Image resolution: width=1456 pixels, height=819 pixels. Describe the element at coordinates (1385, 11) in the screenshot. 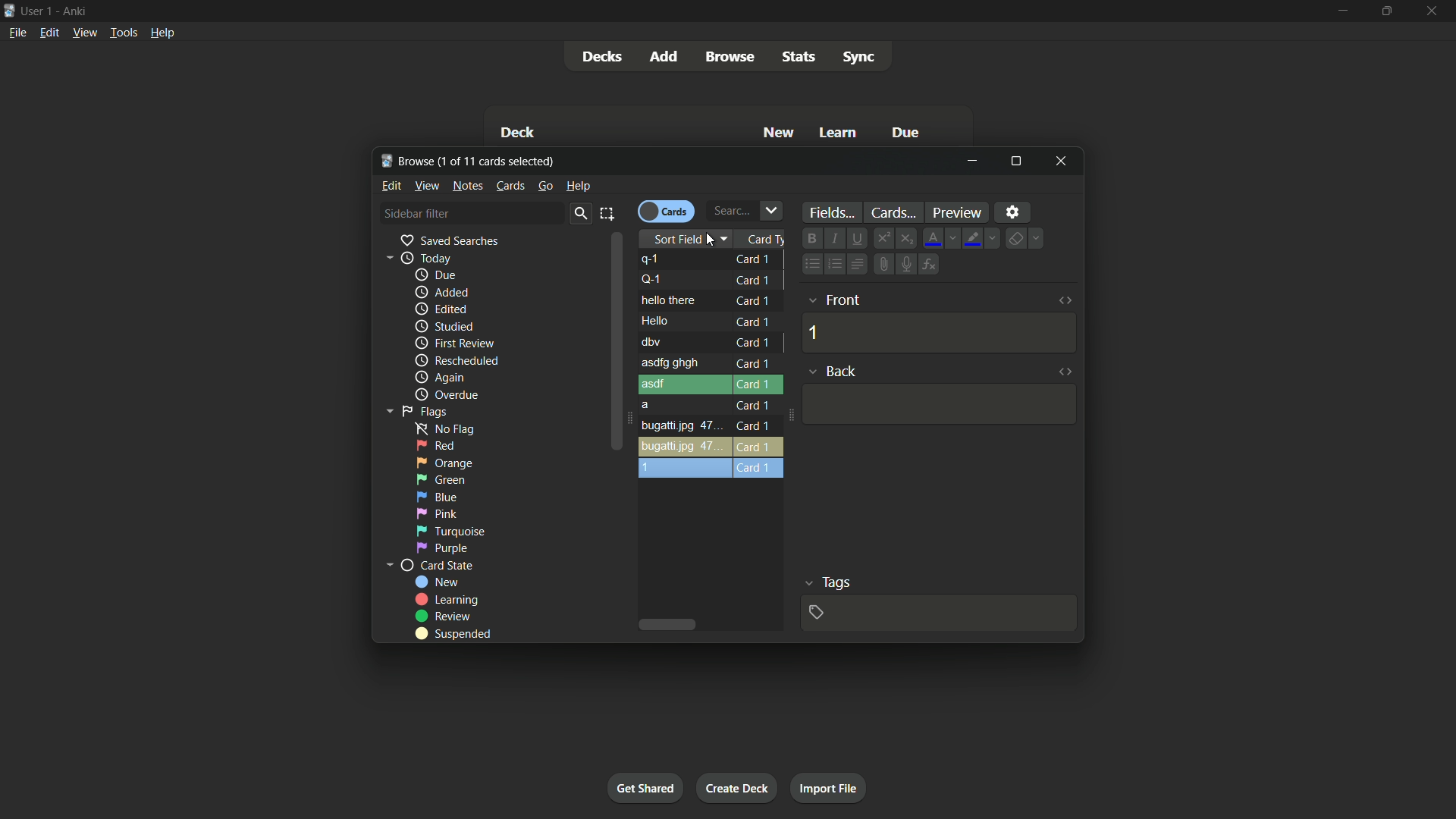

I see `maximize` at that location.